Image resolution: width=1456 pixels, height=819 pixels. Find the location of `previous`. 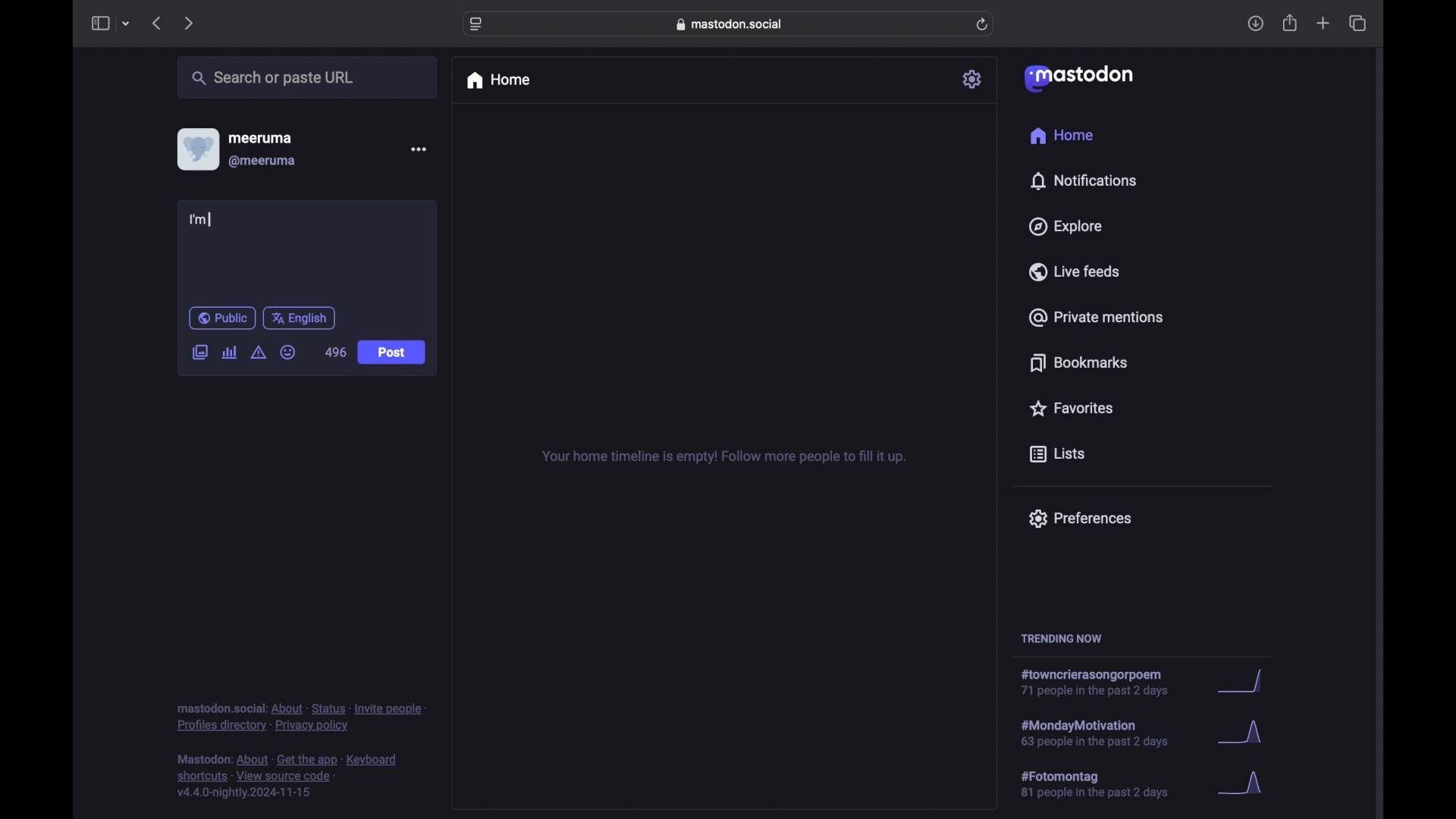

previous is located at coordinates (156, 23).